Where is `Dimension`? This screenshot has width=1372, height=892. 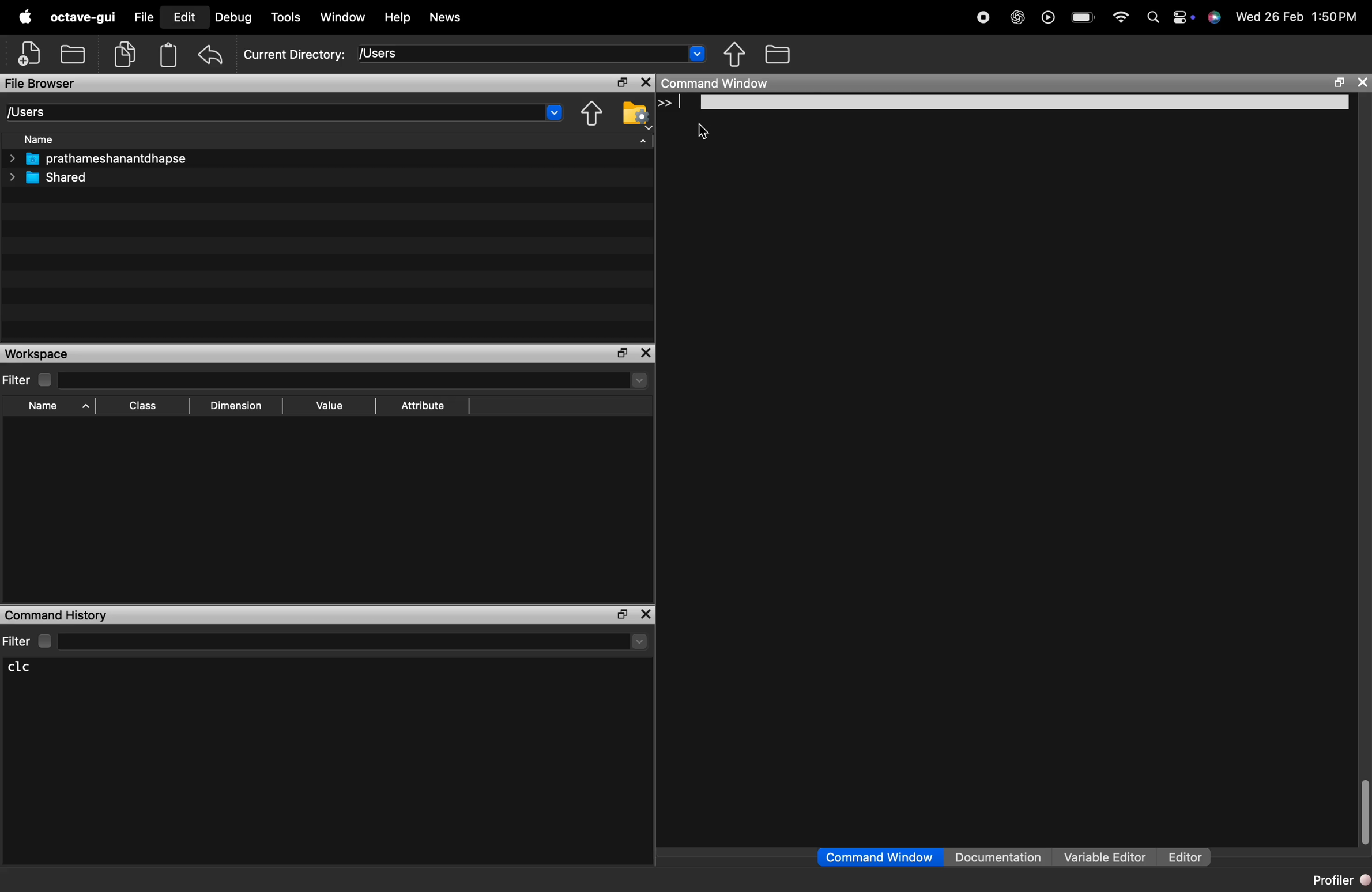 Dimension is located at coordinates (235, 406).